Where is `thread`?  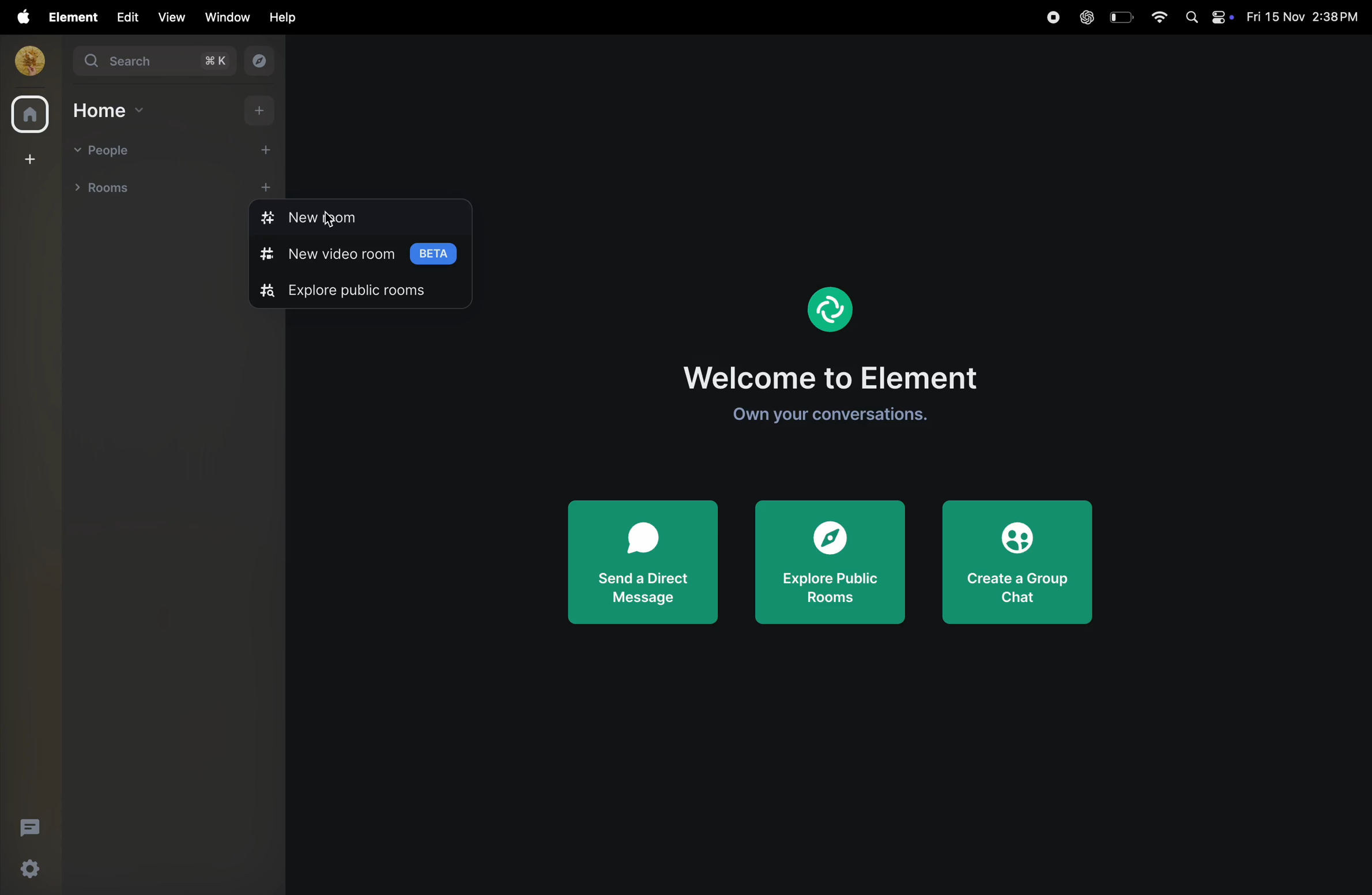 thread is located at coordinates (31, 827).